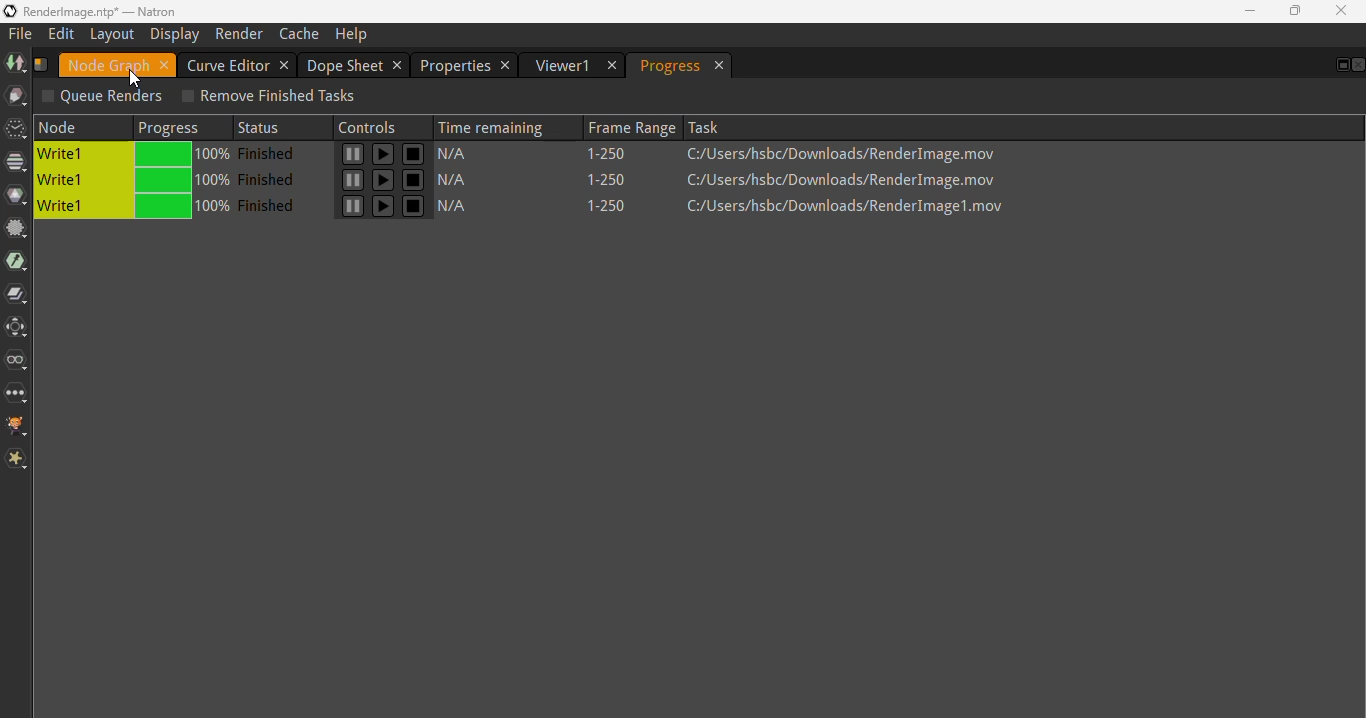  I want to click on pause, so click(383, 155).